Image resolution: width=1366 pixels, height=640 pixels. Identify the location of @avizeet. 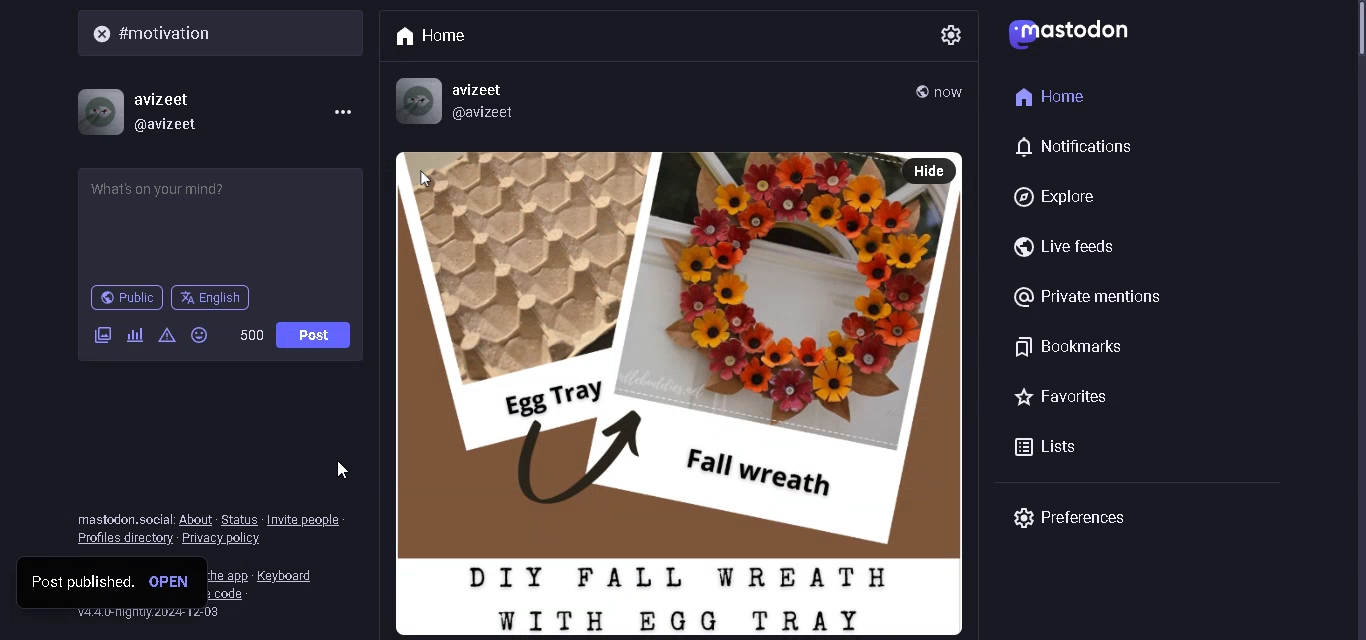
(486, 113).